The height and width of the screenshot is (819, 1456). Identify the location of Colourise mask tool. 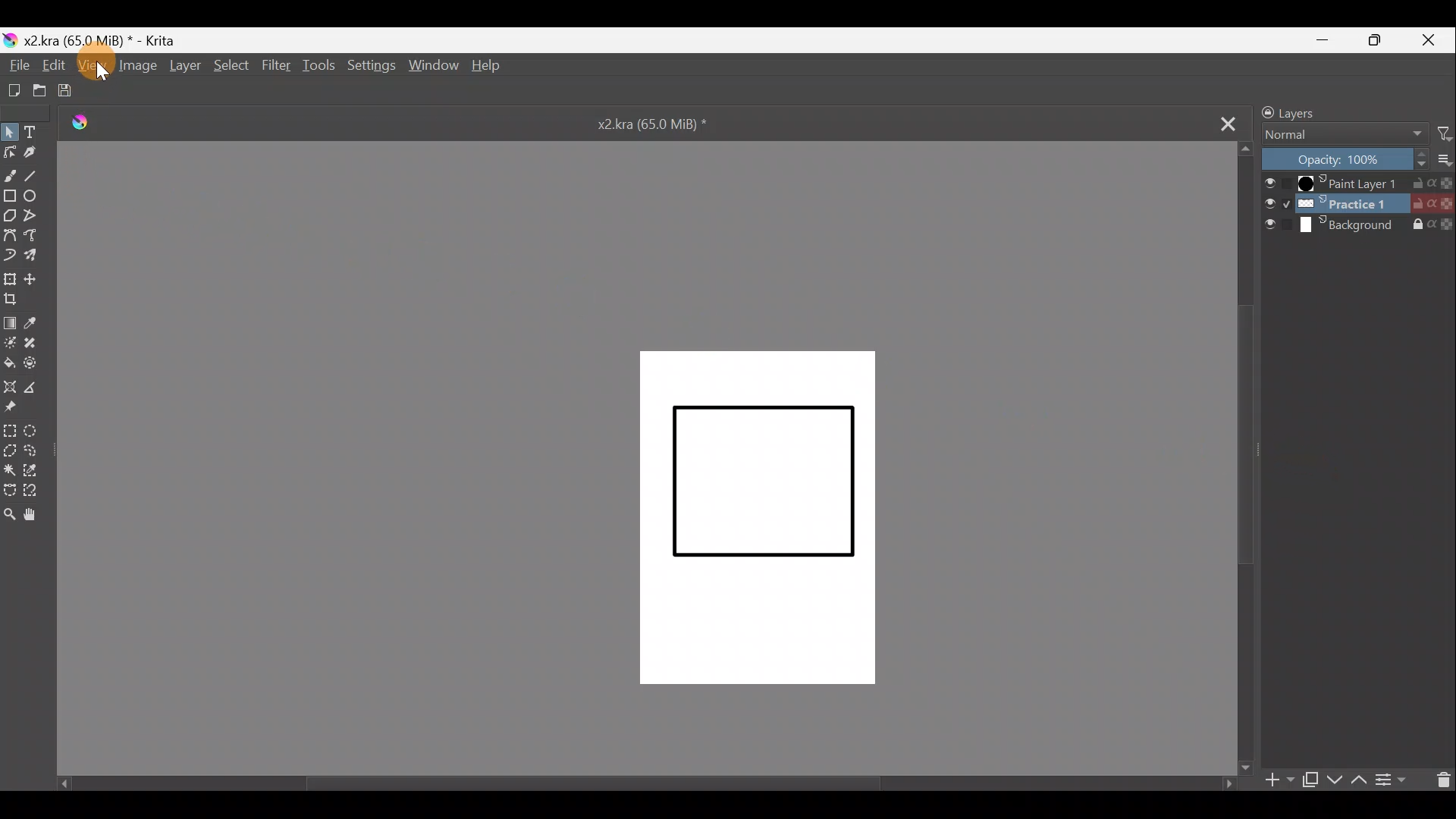
(13, 343).